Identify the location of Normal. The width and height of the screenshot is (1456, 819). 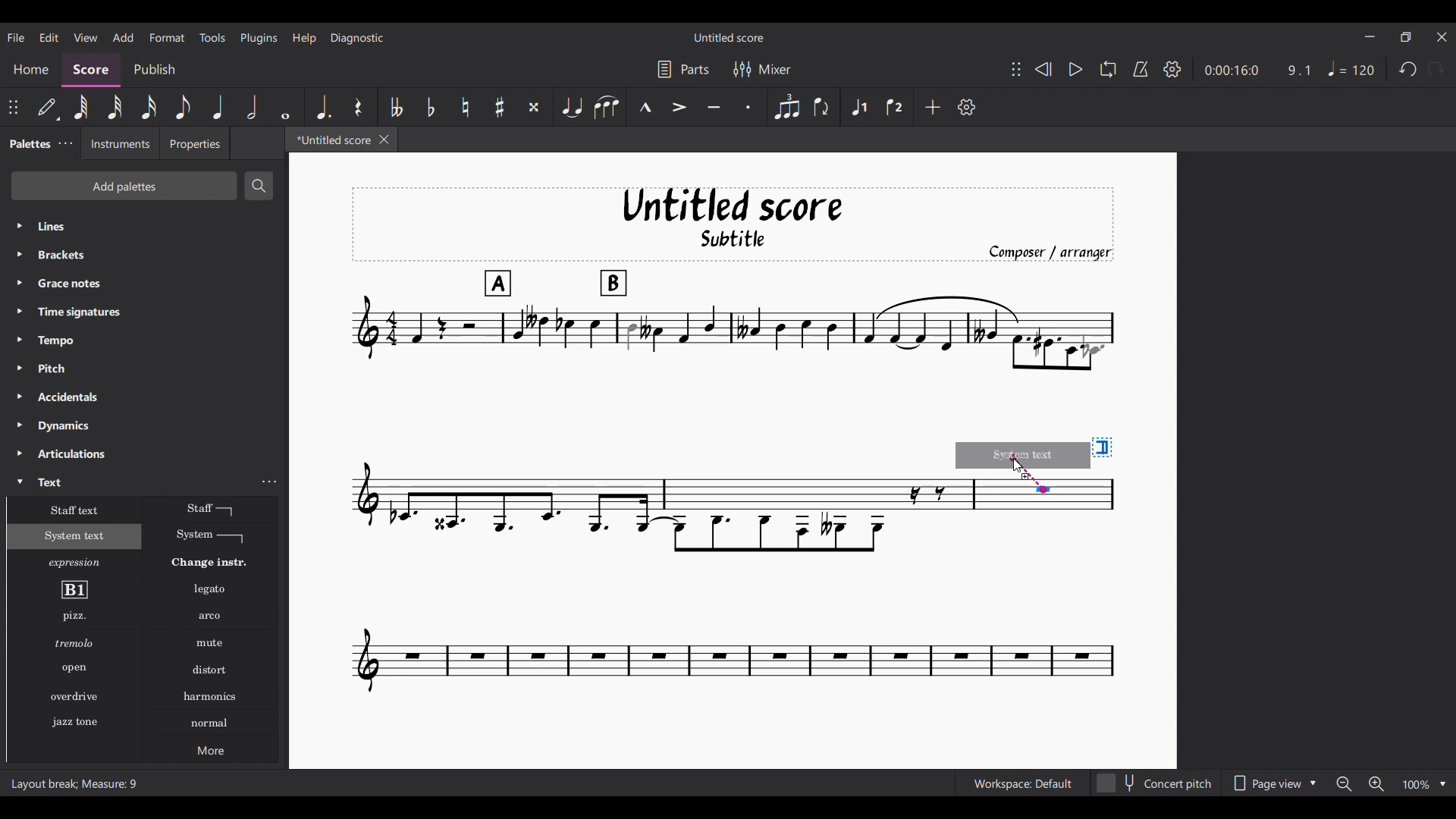
(210, 723).